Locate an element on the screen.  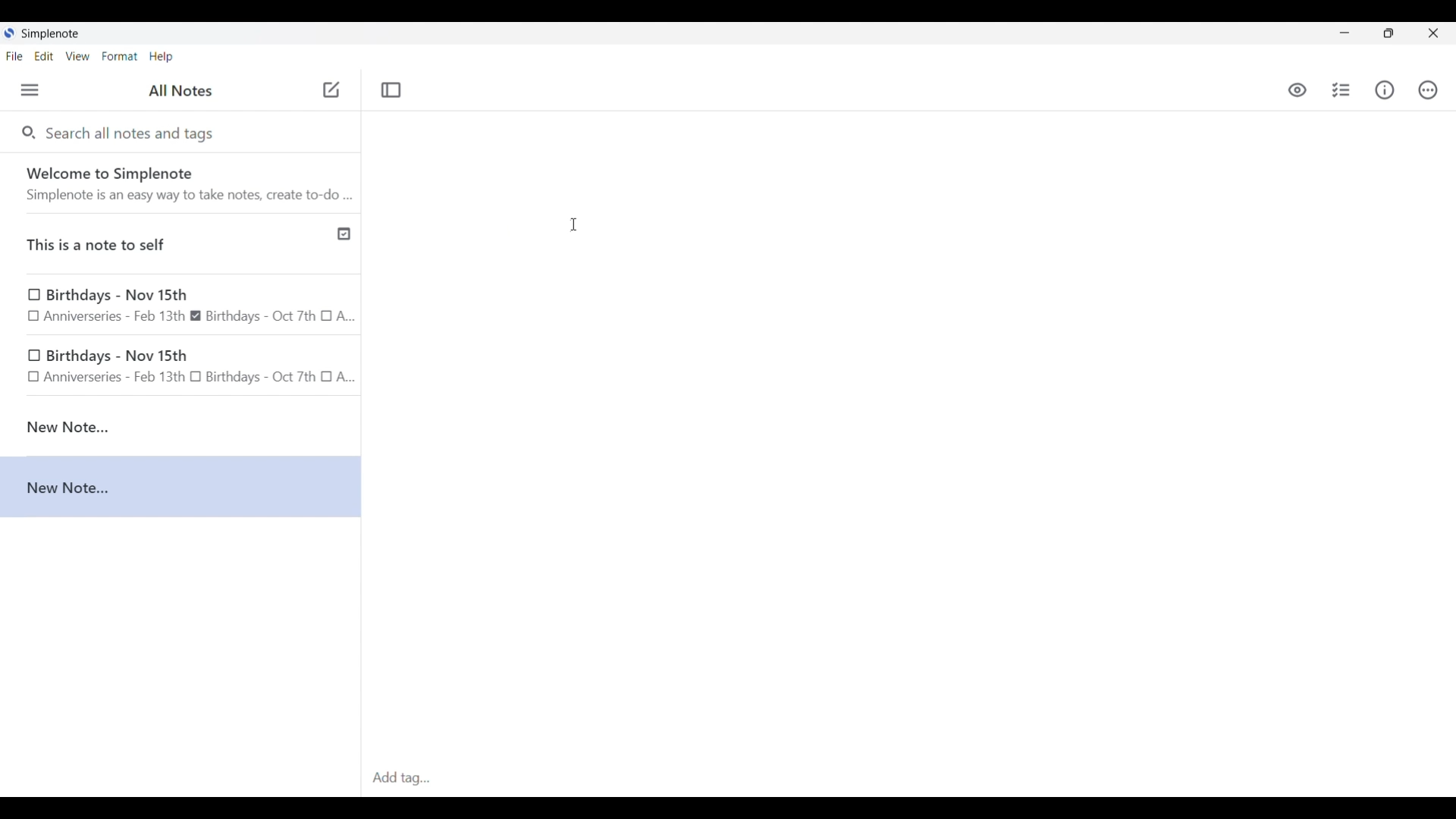
Show interface in a smaller tab is located at coordinates (1389, 33).